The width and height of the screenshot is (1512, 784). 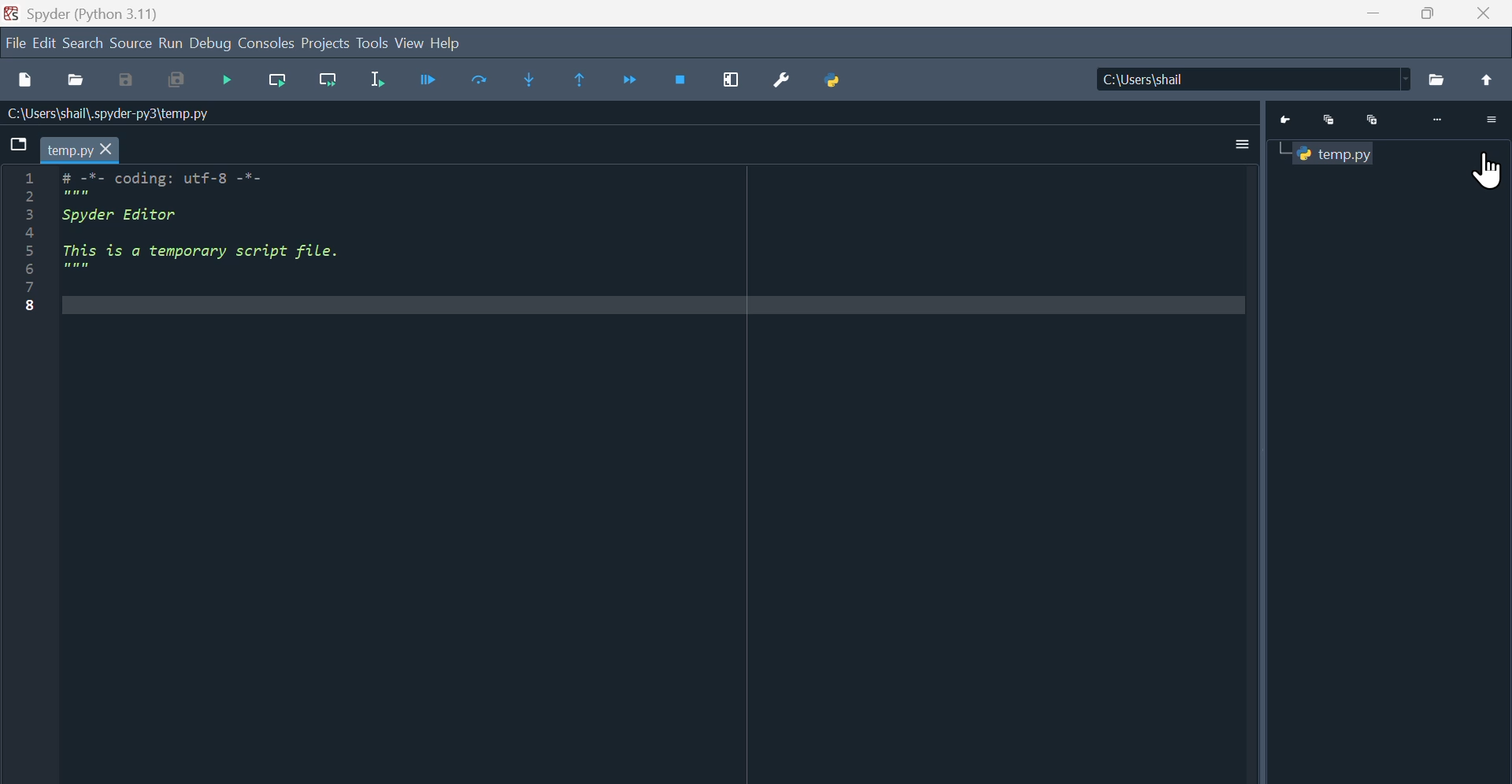 What do you see at coordinates (110, 114) in the screenshot?
I see `File name` at bounding box center [110, 114].